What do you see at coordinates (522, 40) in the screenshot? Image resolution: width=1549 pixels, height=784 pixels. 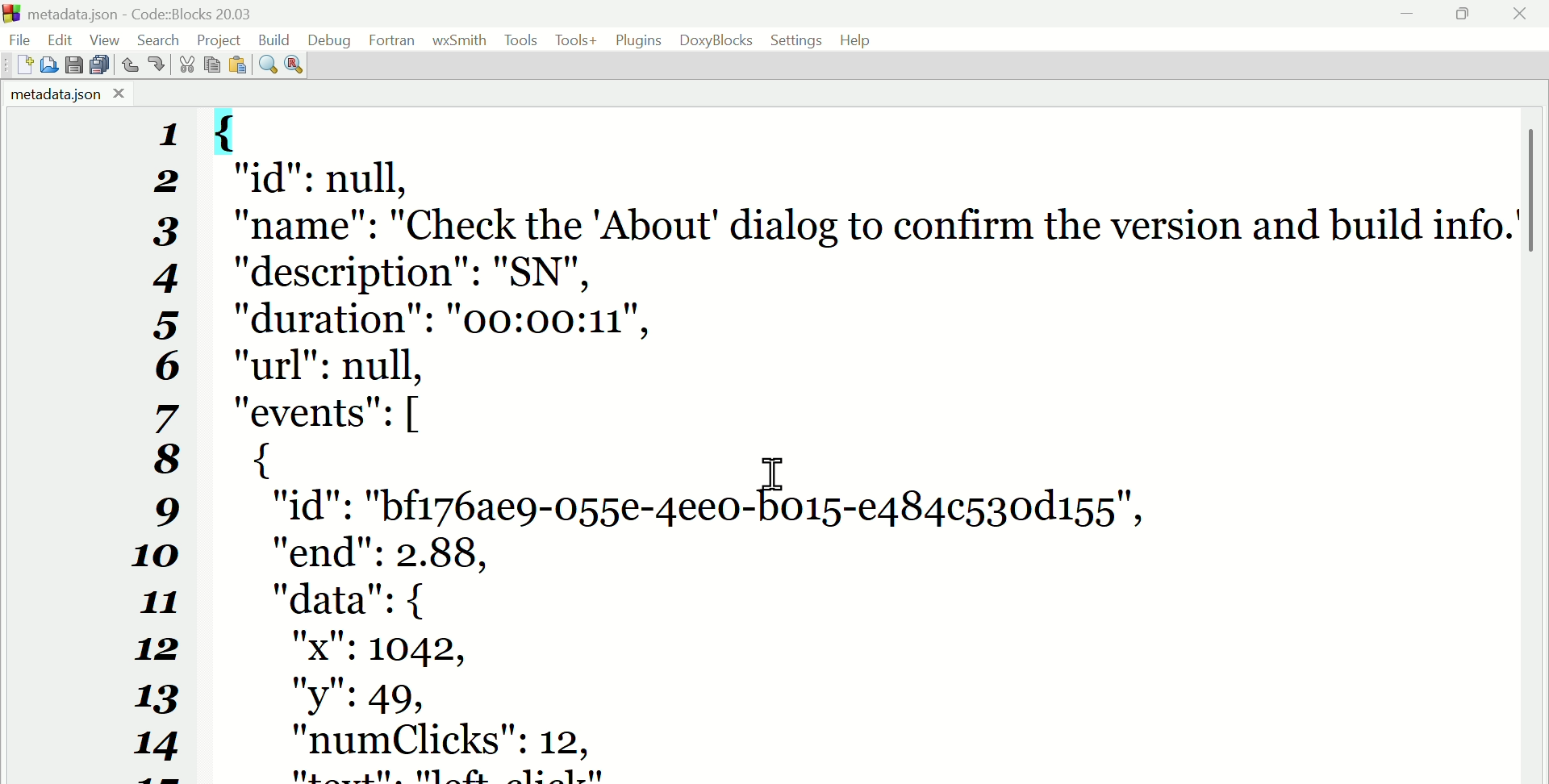 I see `Tools` at bounding box center [522, 40].